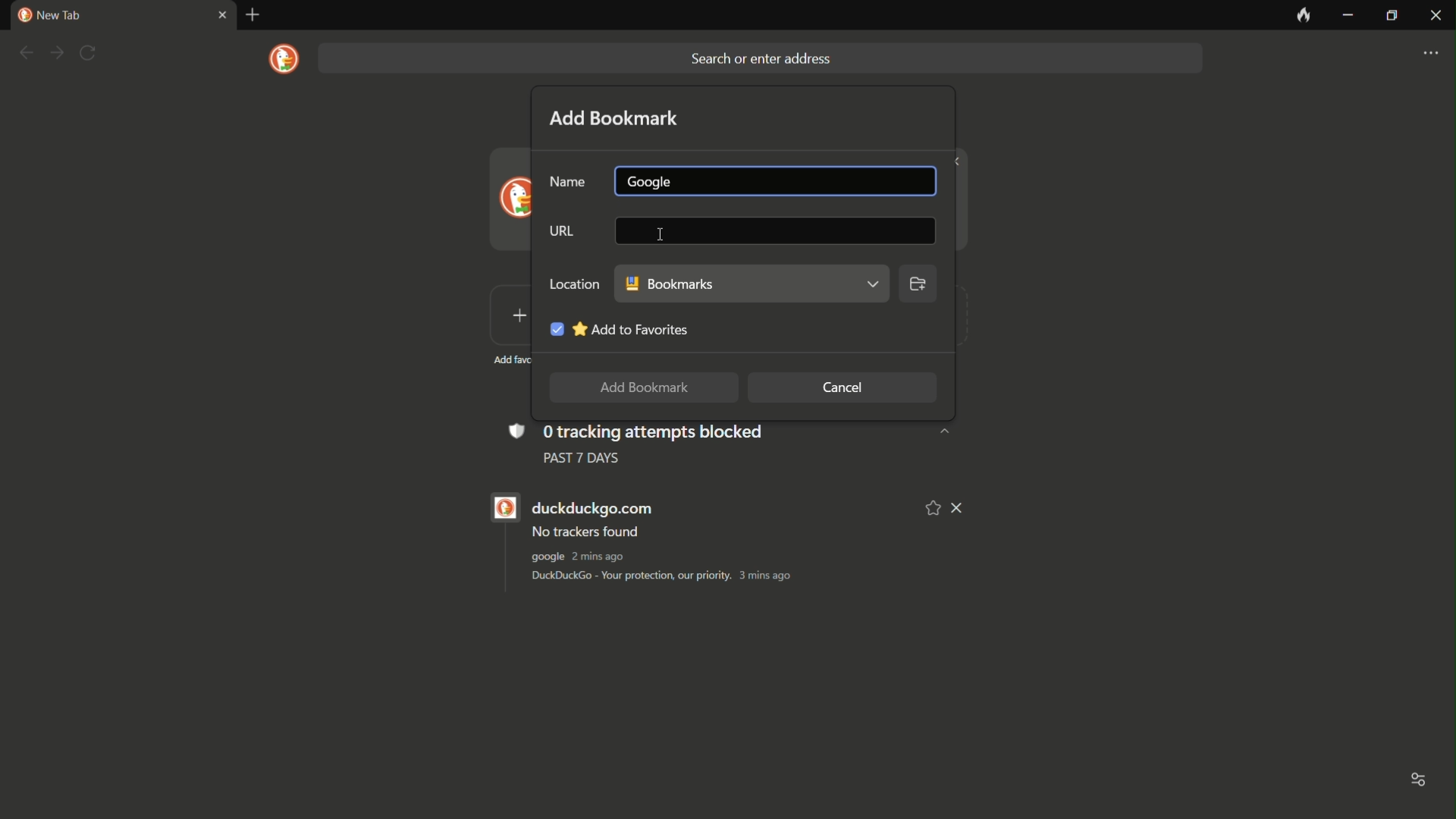  Describe the element at coordinates (25, 53) in the screenshot. I see `back` at that location.